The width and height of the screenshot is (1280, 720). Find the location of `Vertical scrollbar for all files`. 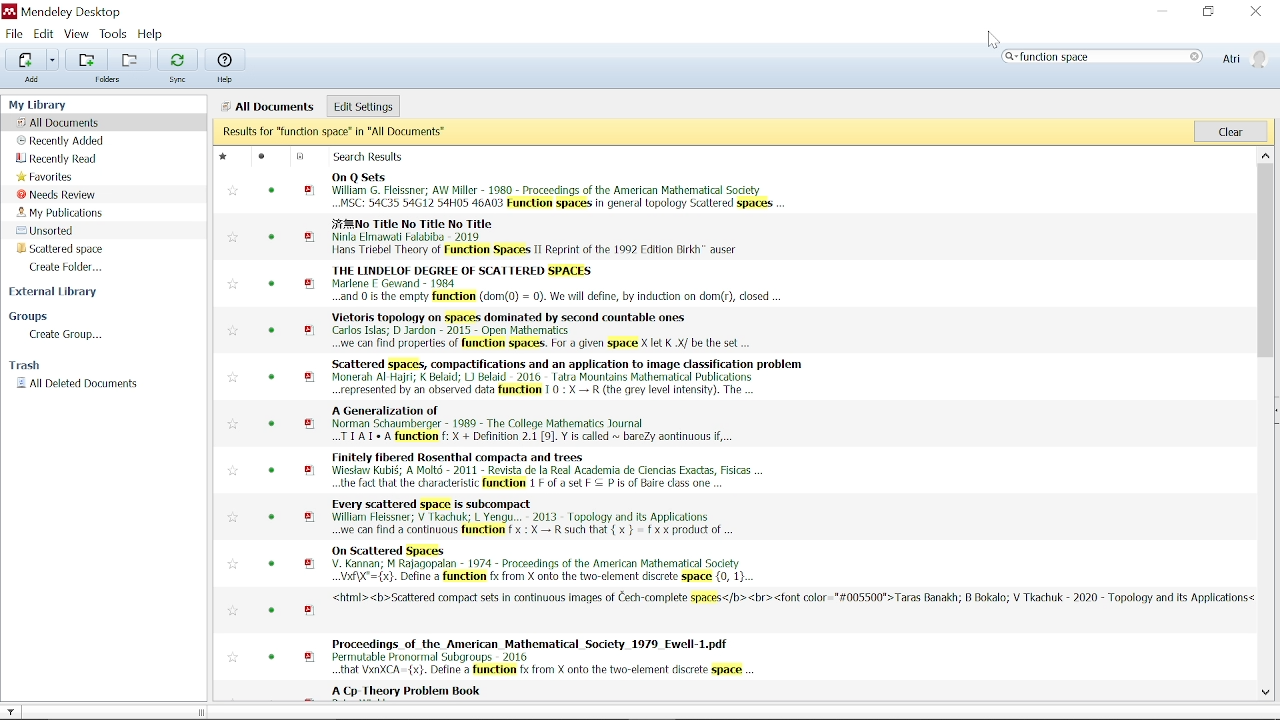

Vertical scrollbar for all files is located at coordinates (1266, 236).